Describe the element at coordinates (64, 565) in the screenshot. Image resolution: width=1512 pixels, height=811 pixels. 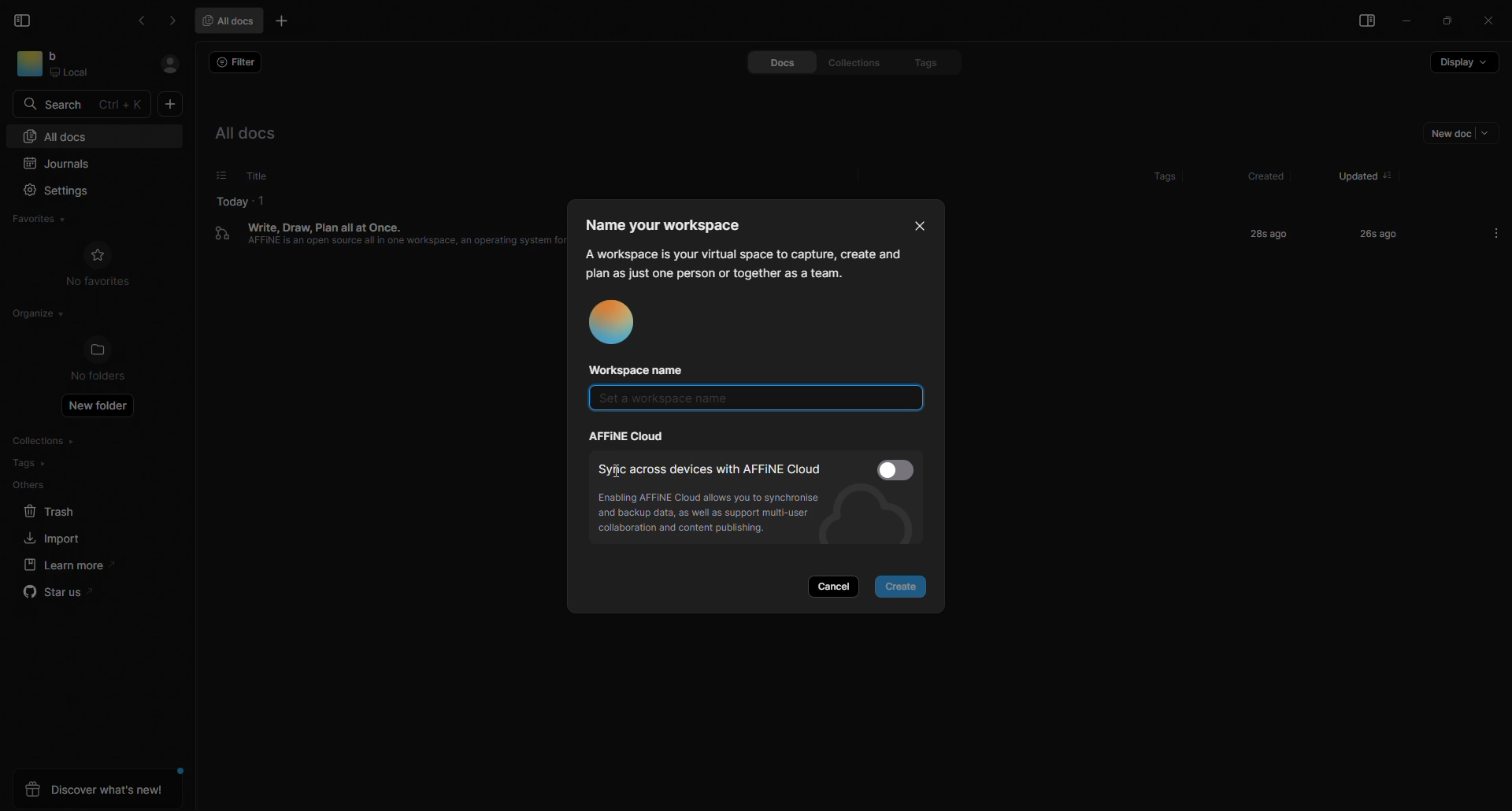
I see `learn more` at that location.